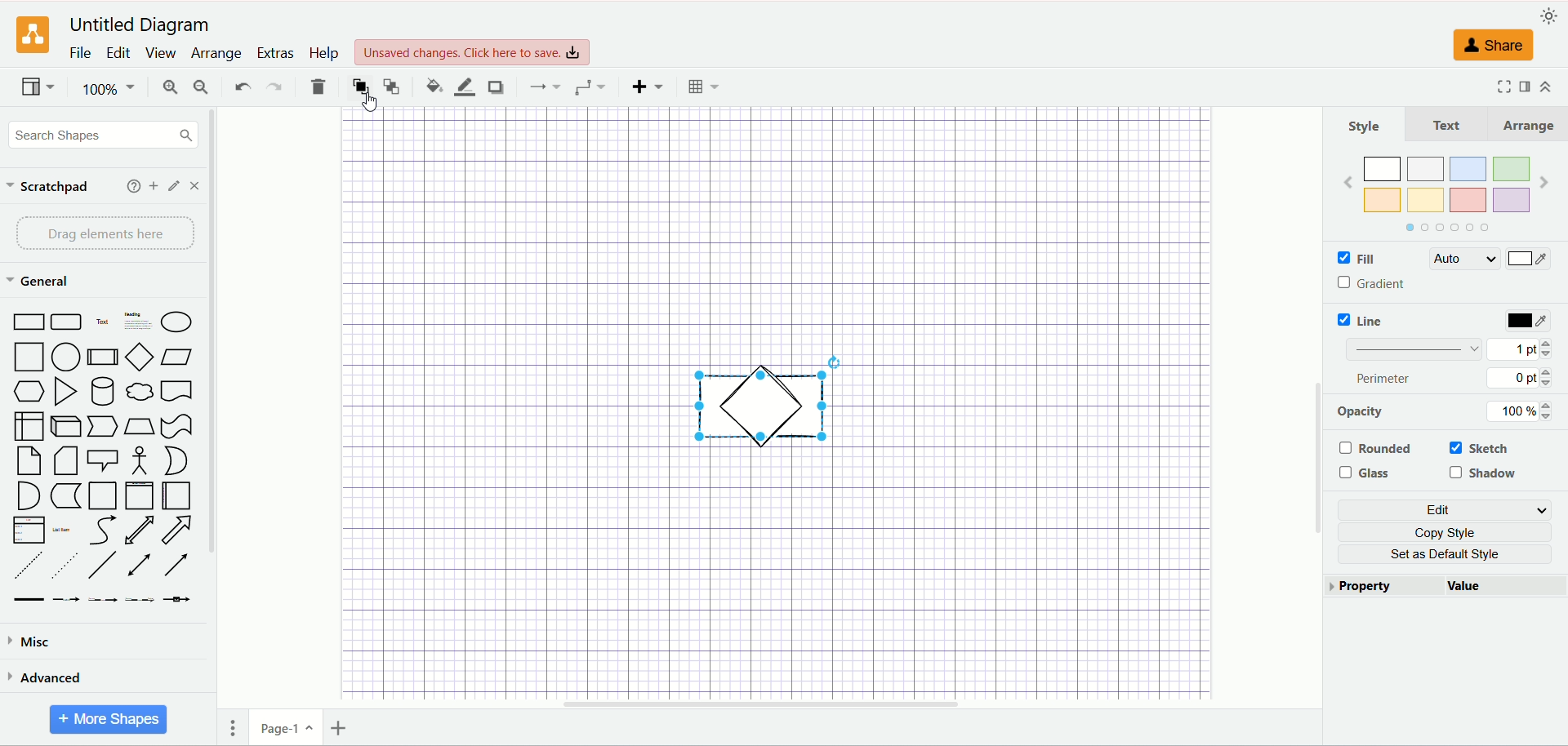 The image size is (1568, 746). Describe the element at coordinates (167, 86) in the screenshot. I see `zoom in` at that location.